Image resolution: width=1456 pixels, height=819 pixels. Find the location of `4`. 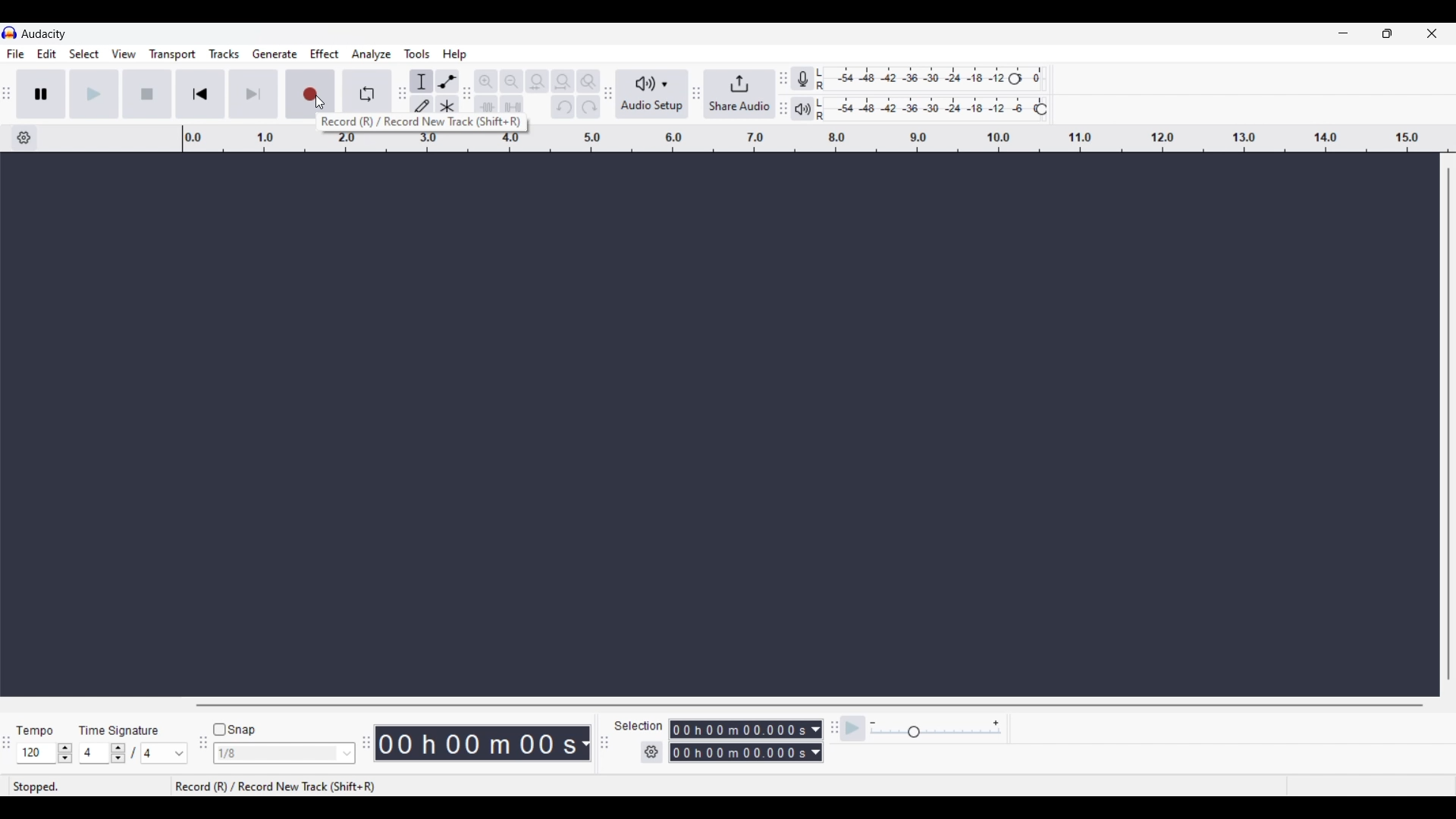

4 is located at coordinates (96, 753).